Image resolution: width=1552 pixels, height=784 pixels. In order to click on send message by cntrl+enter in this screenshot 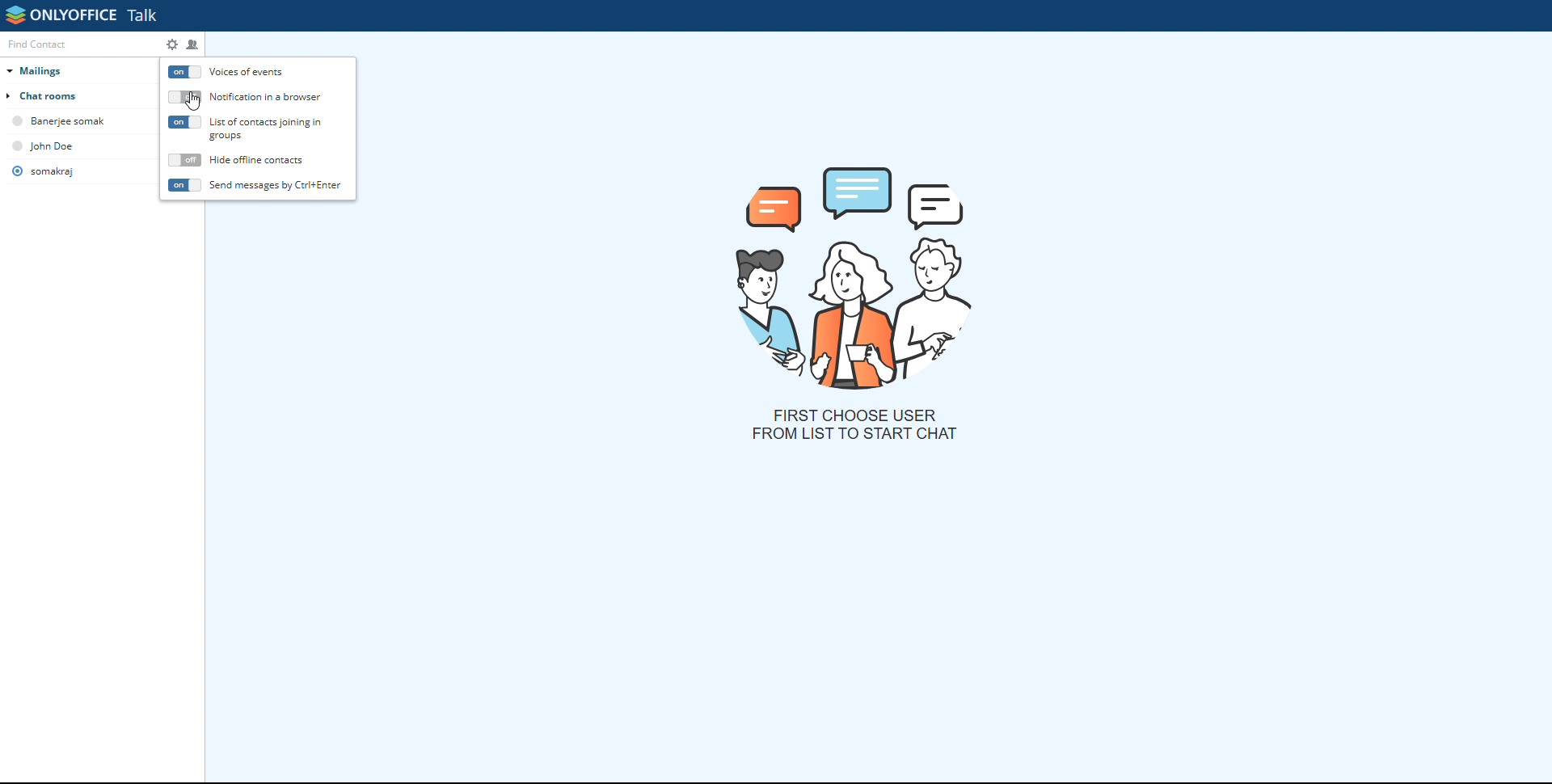, I will do `click(183, 185)`.